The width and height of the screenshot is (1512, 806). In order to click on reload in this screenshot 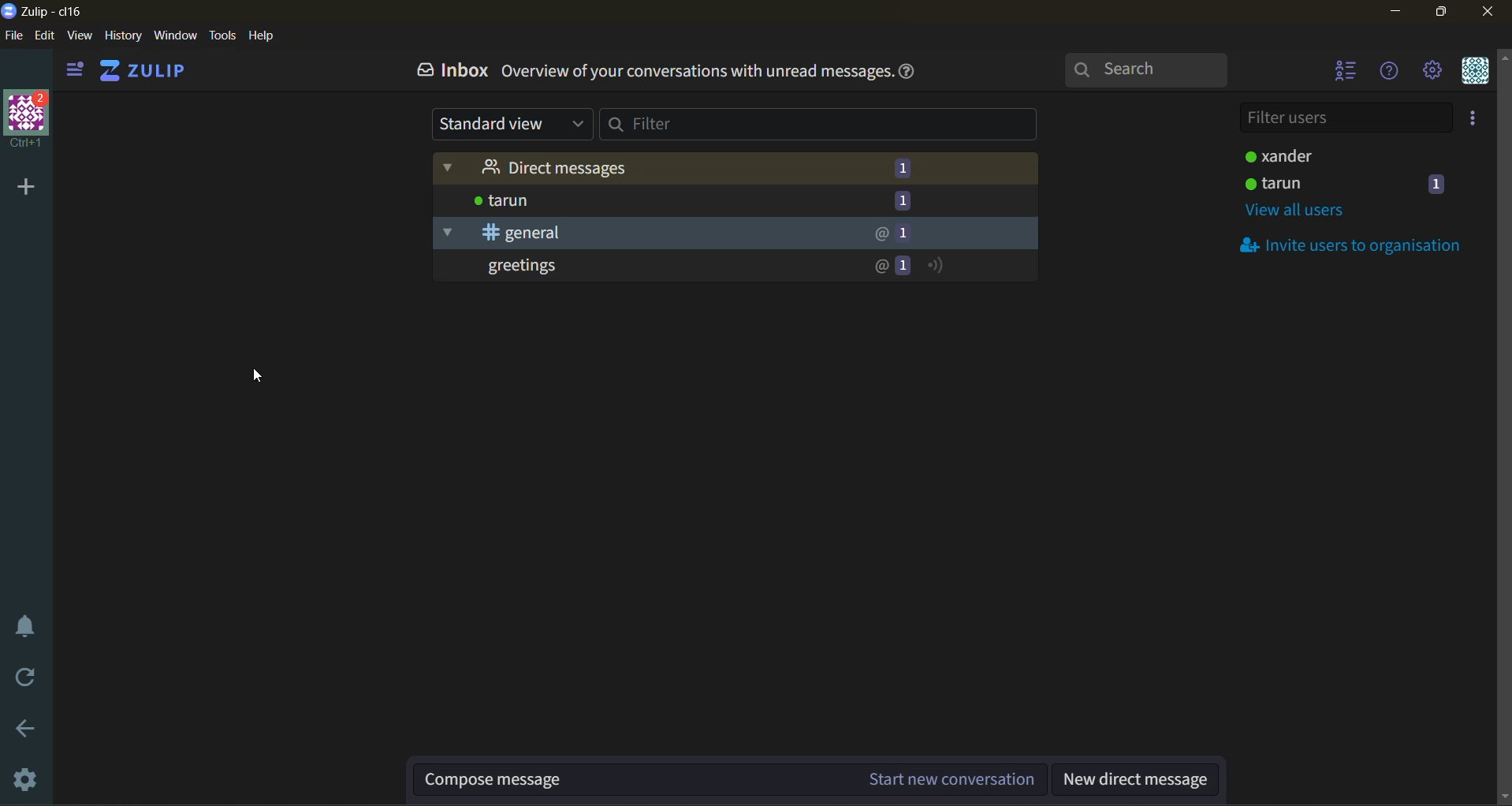, I will do `click(27, 674)`.